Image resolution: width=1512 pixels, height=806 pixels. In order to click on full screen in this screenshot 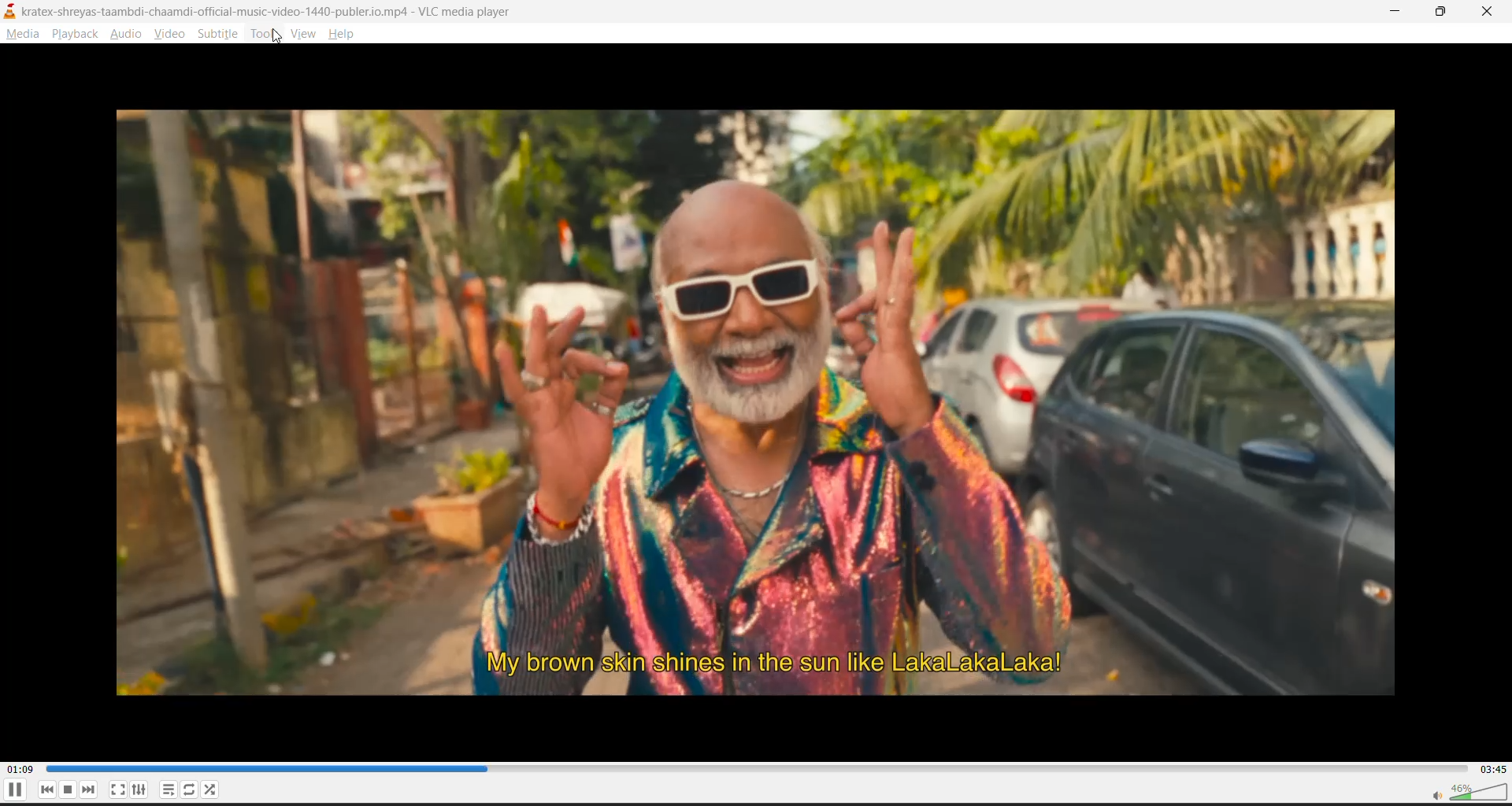, I will do `click(117, 788)`.